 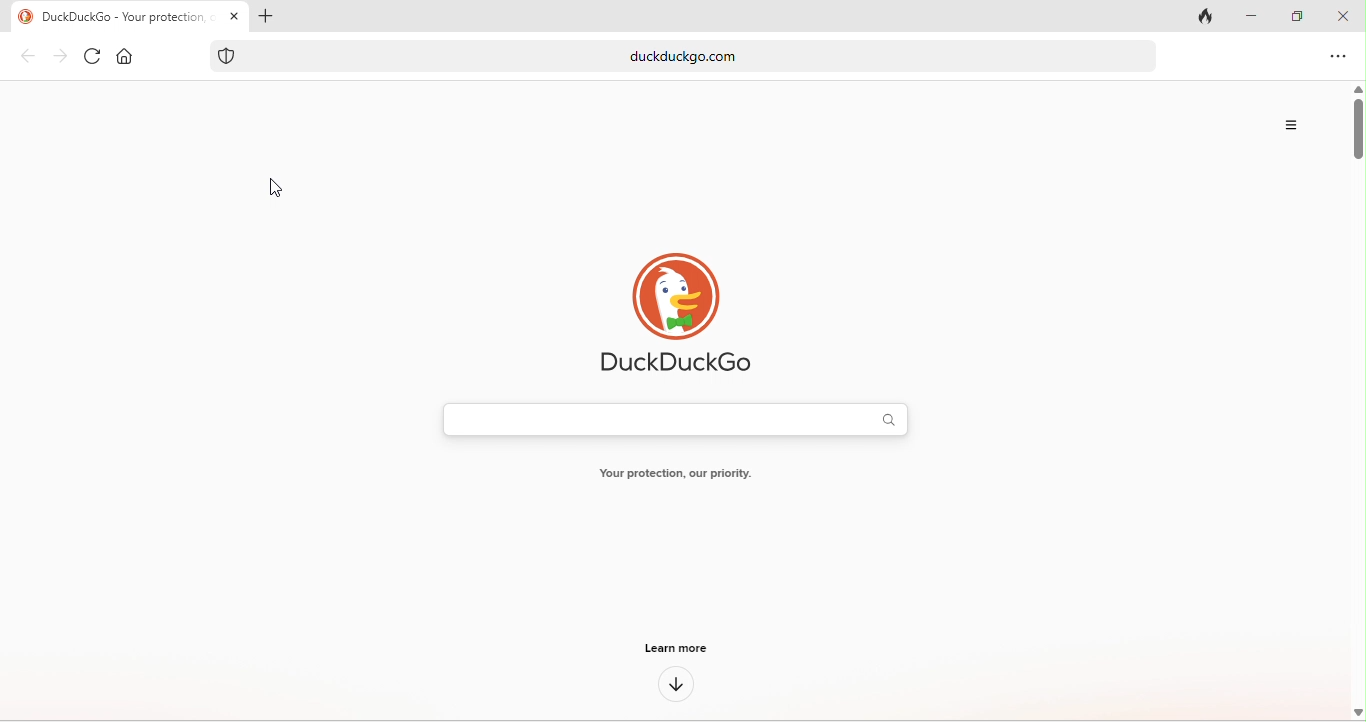 I want to click on maximize, so click(x=1292, y=16).